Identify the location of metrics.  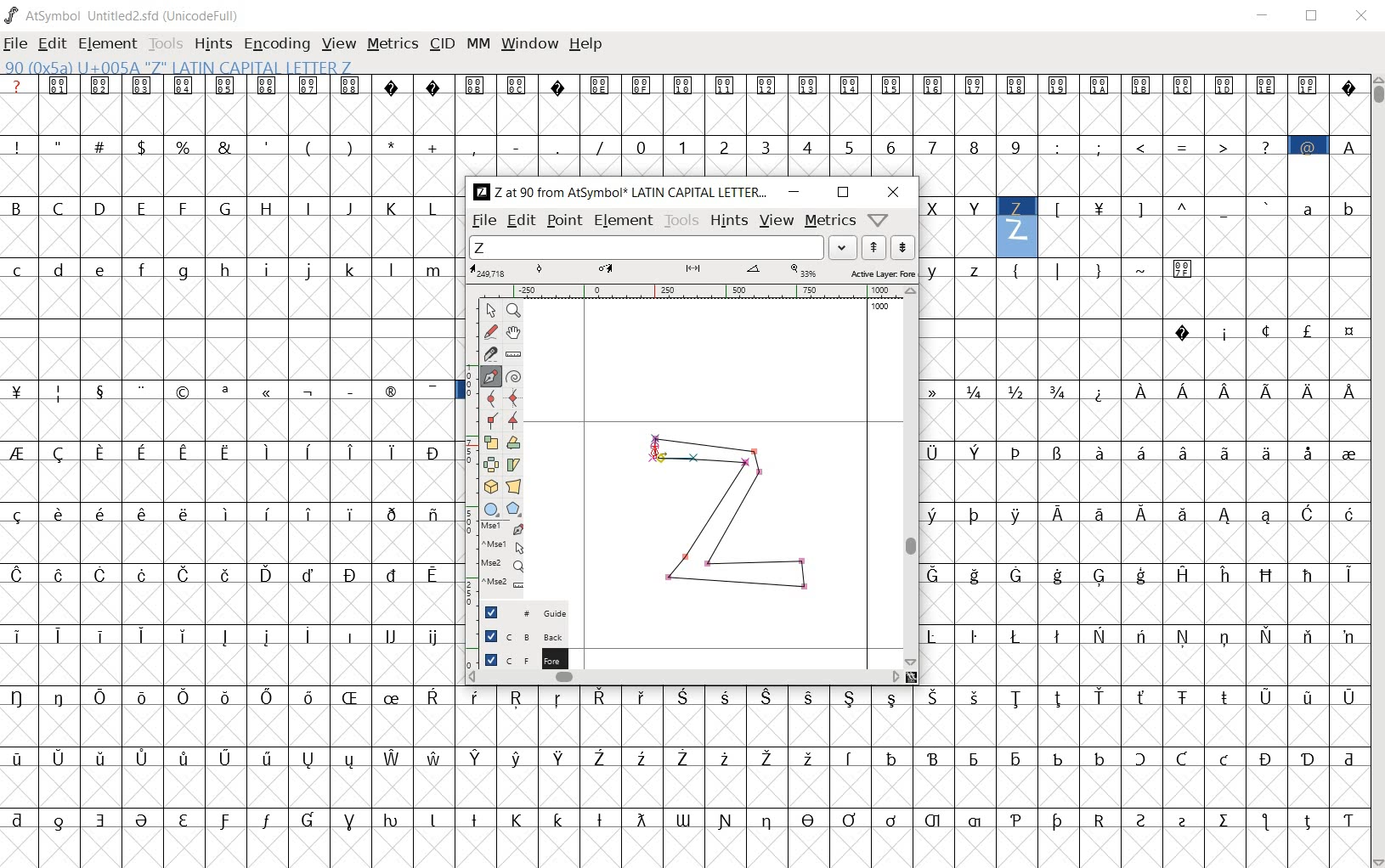
(394, 45).